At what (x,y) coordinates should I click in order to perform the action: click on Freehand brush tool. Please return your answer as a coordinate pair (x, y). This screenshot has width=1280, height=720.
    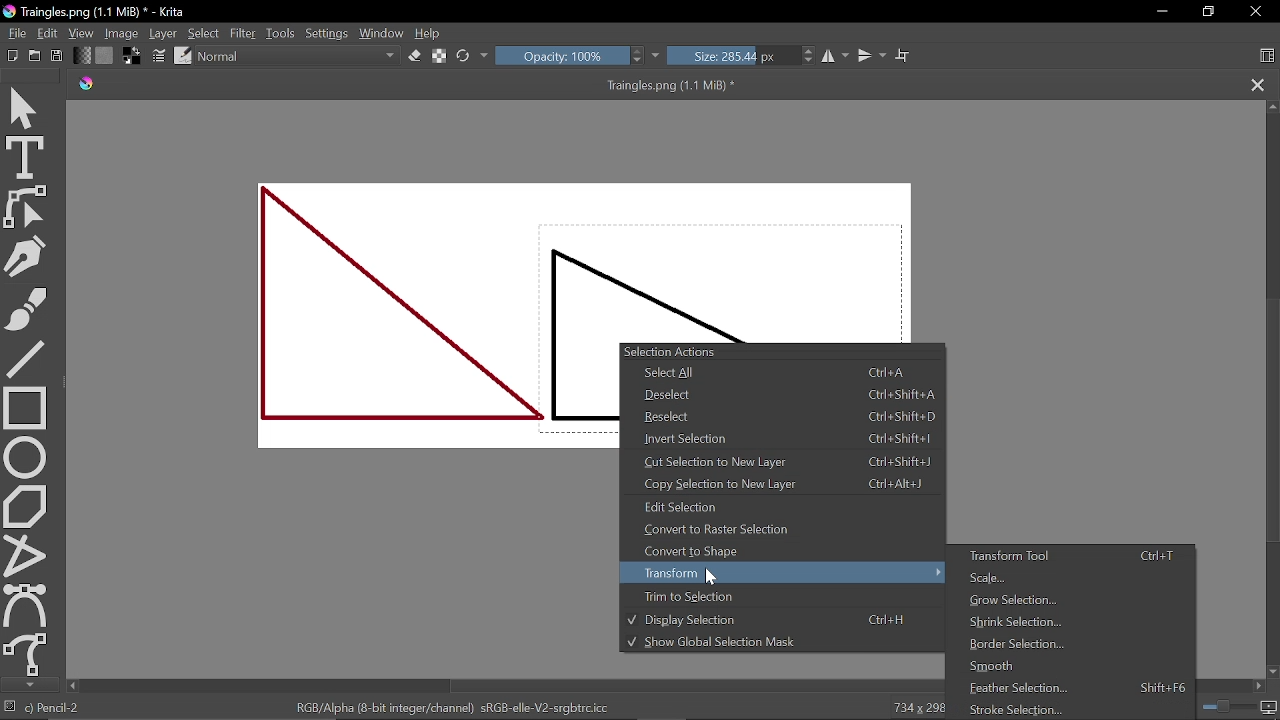
    Looking at the image, I should click on (26, 305).